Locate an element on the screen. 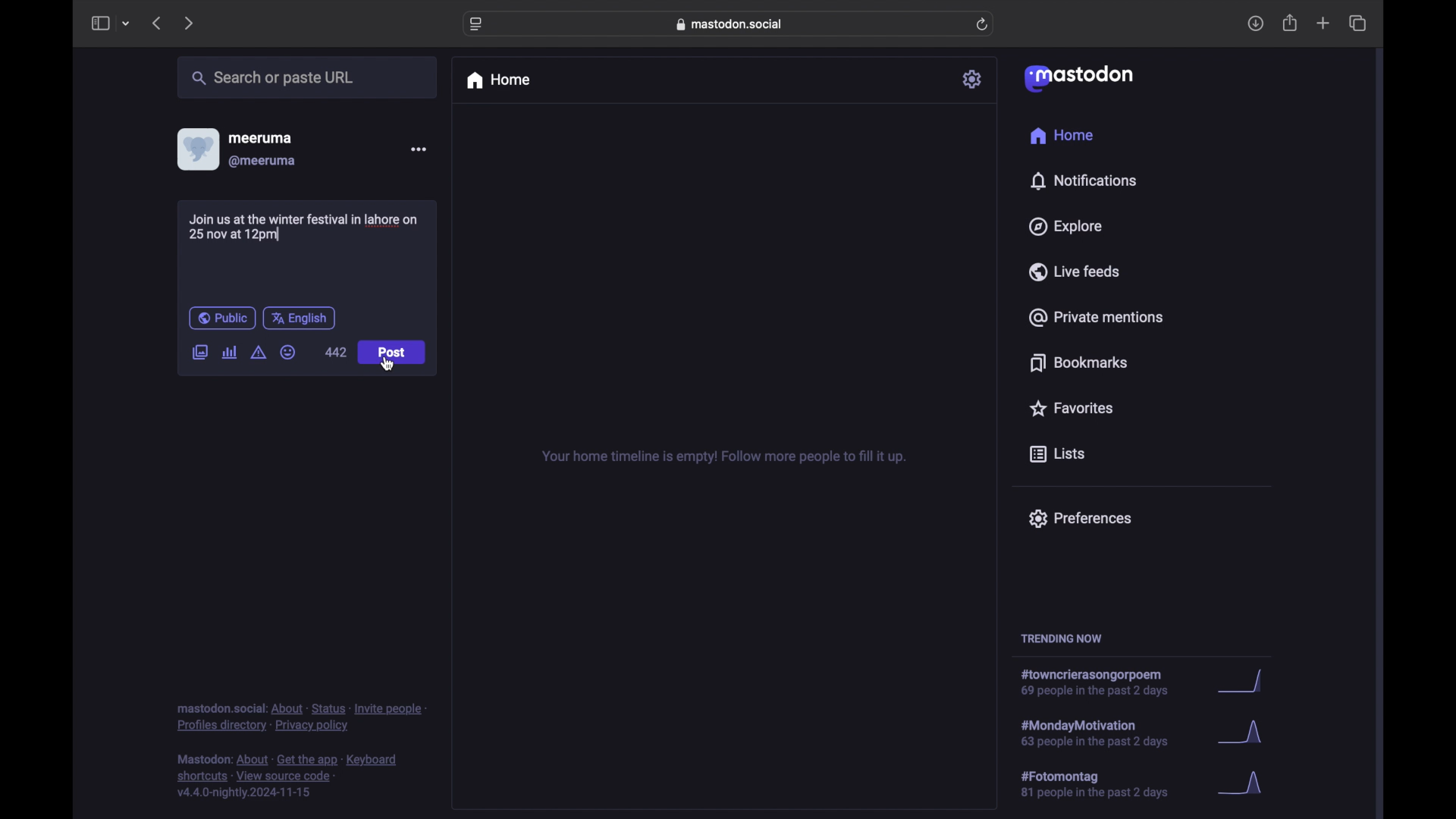 This screenshot has height=819, width=1456. hashtag trend is located at coordinates (1105, 732).